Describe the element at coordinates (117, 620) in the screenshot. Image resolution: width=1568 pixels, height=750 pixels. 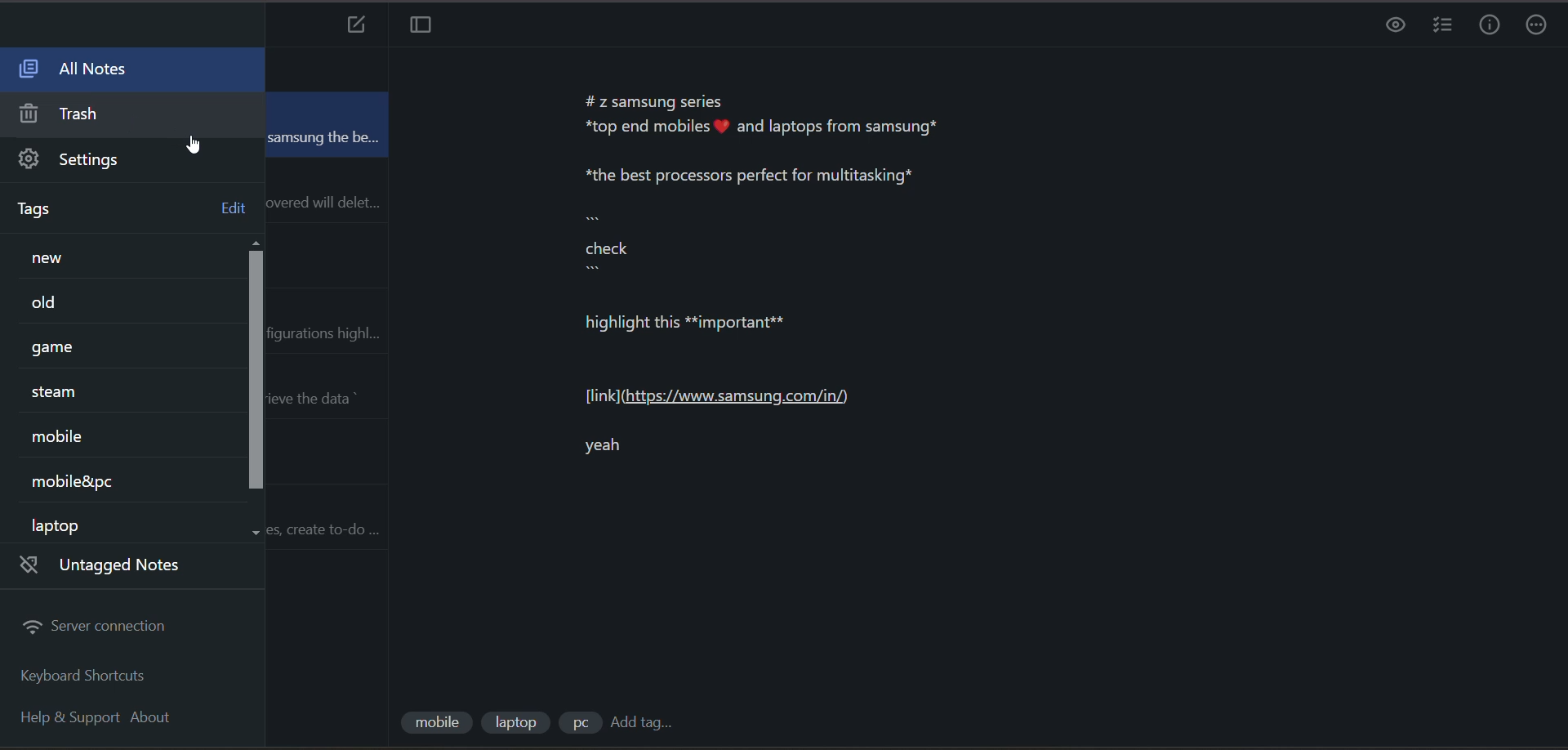
I see `server connection` at that location.